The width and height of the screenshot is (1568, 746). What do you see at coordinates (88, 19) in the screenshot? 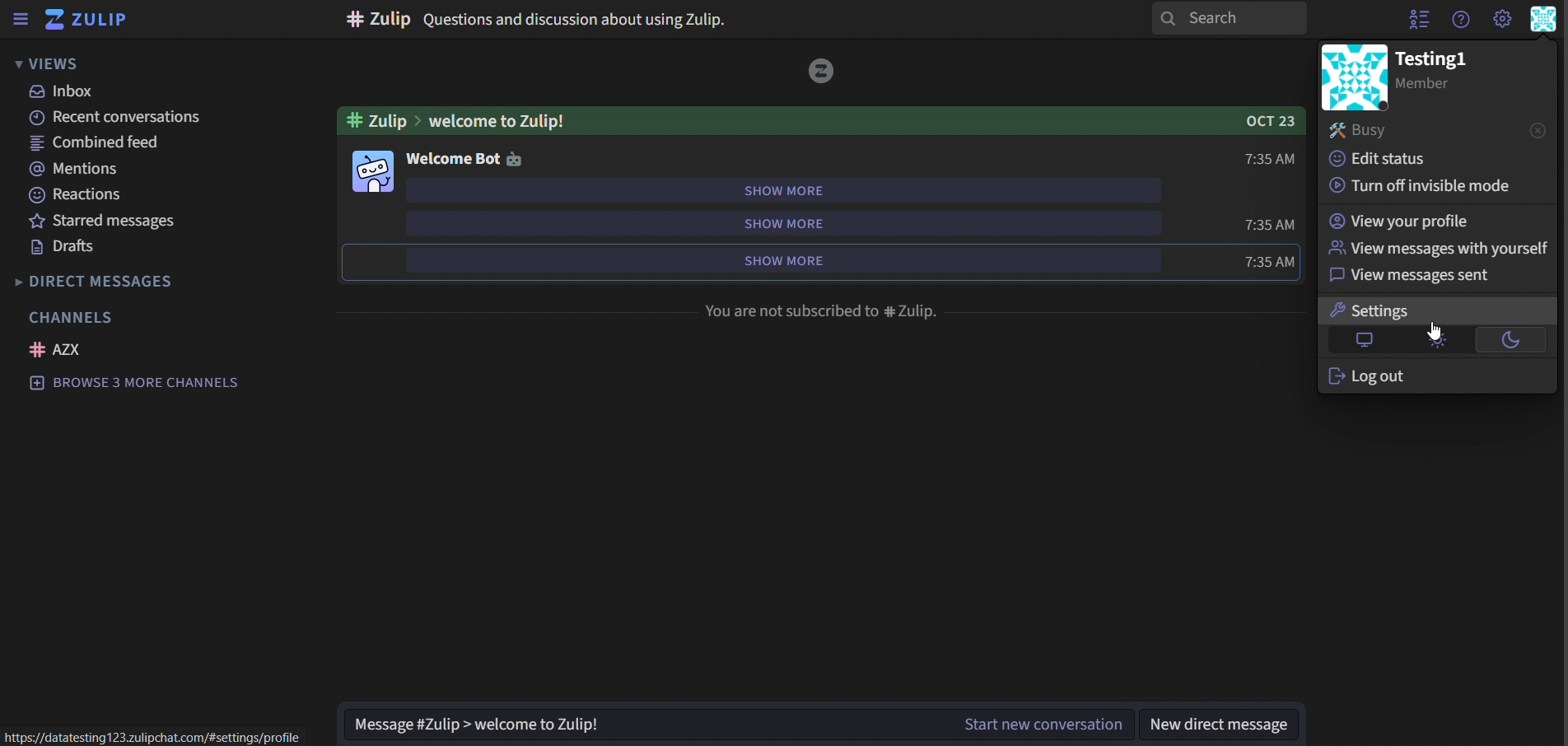
I see `zulip` at bounding box center [88, 19].